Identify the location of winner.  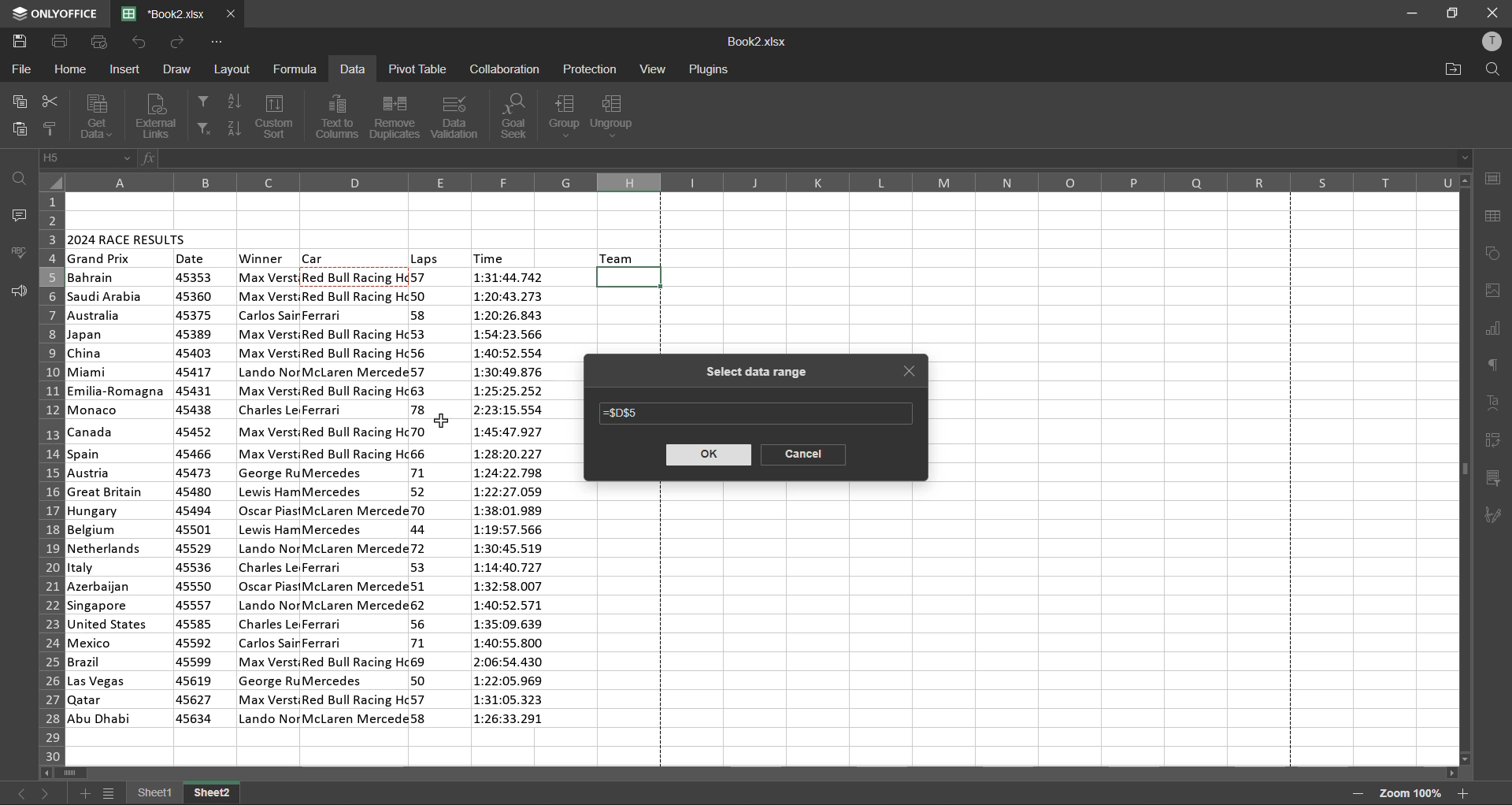
(269, 497).